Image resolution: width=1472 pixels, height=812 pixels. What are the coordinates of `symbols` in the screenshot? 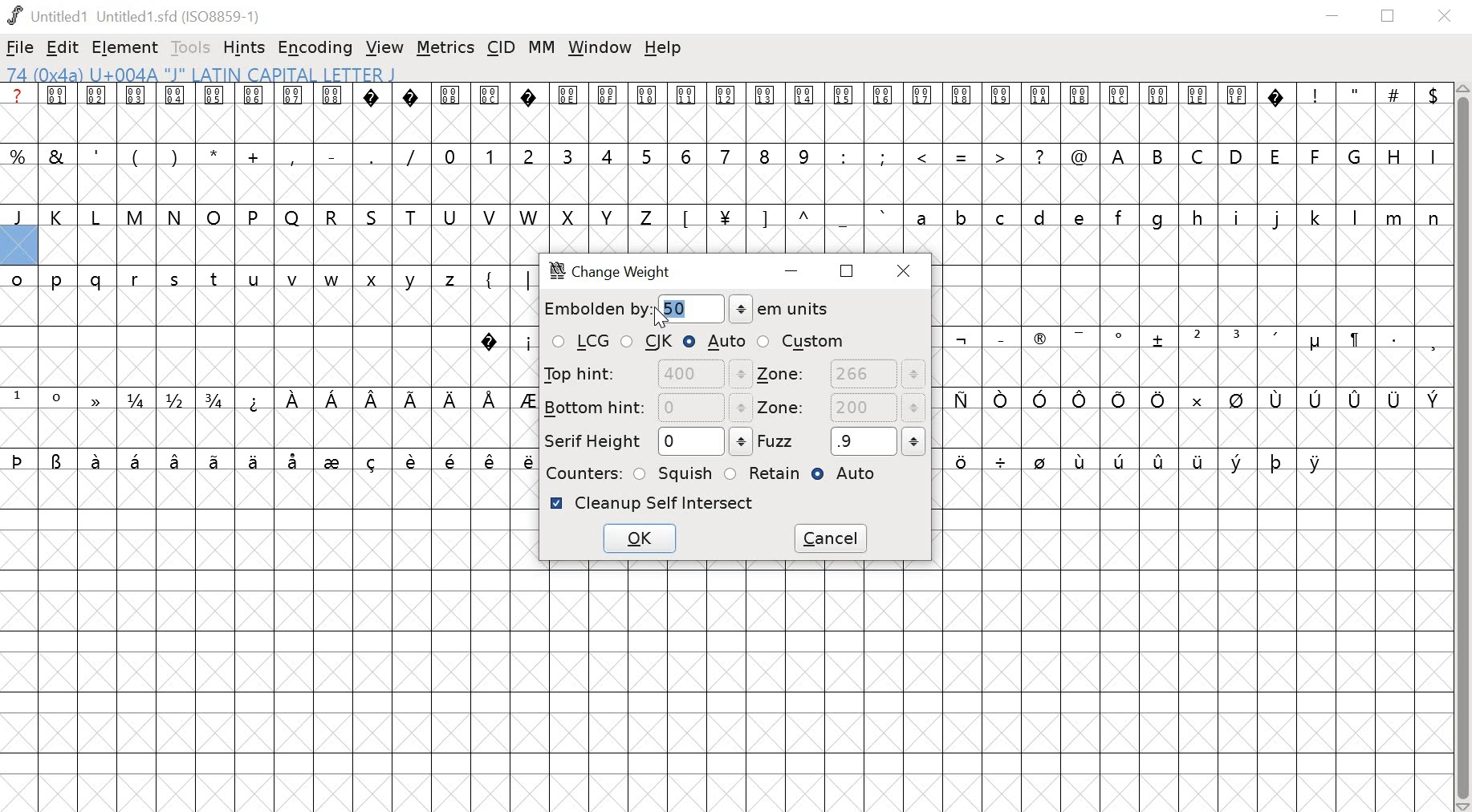 It's located at (270, 460).